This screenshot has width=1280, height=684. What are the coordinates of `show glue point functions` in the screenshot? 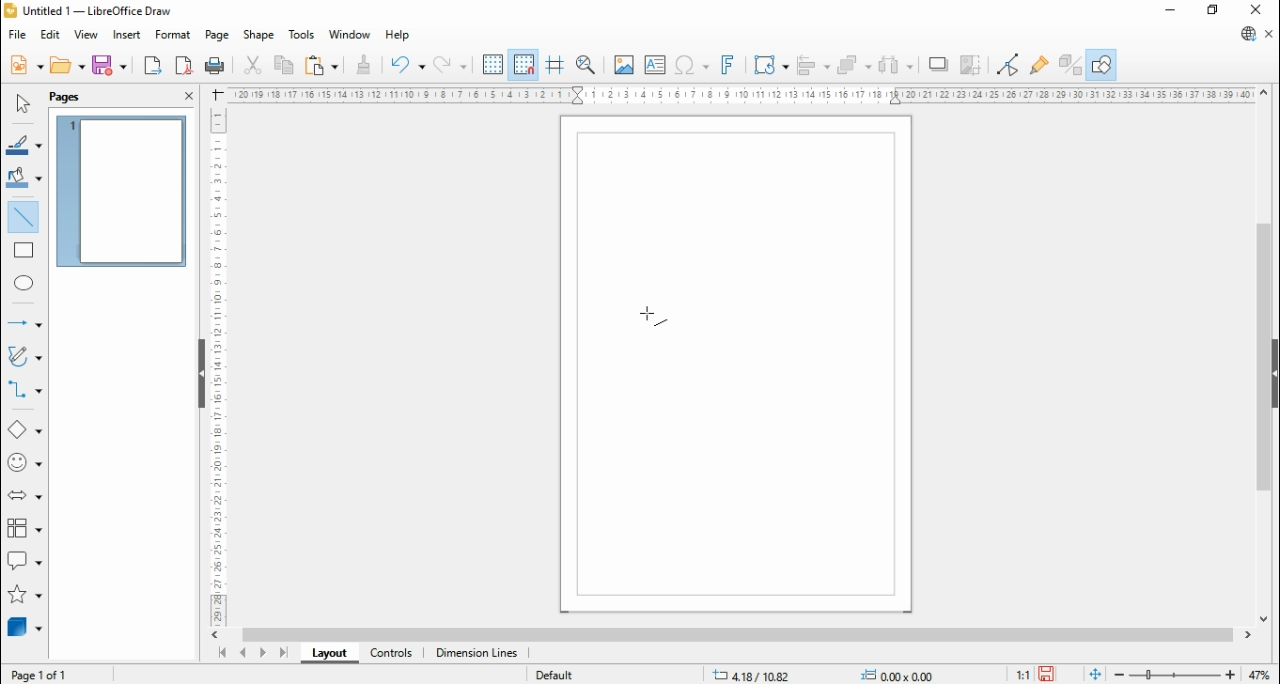 It's located at (1038, 64).